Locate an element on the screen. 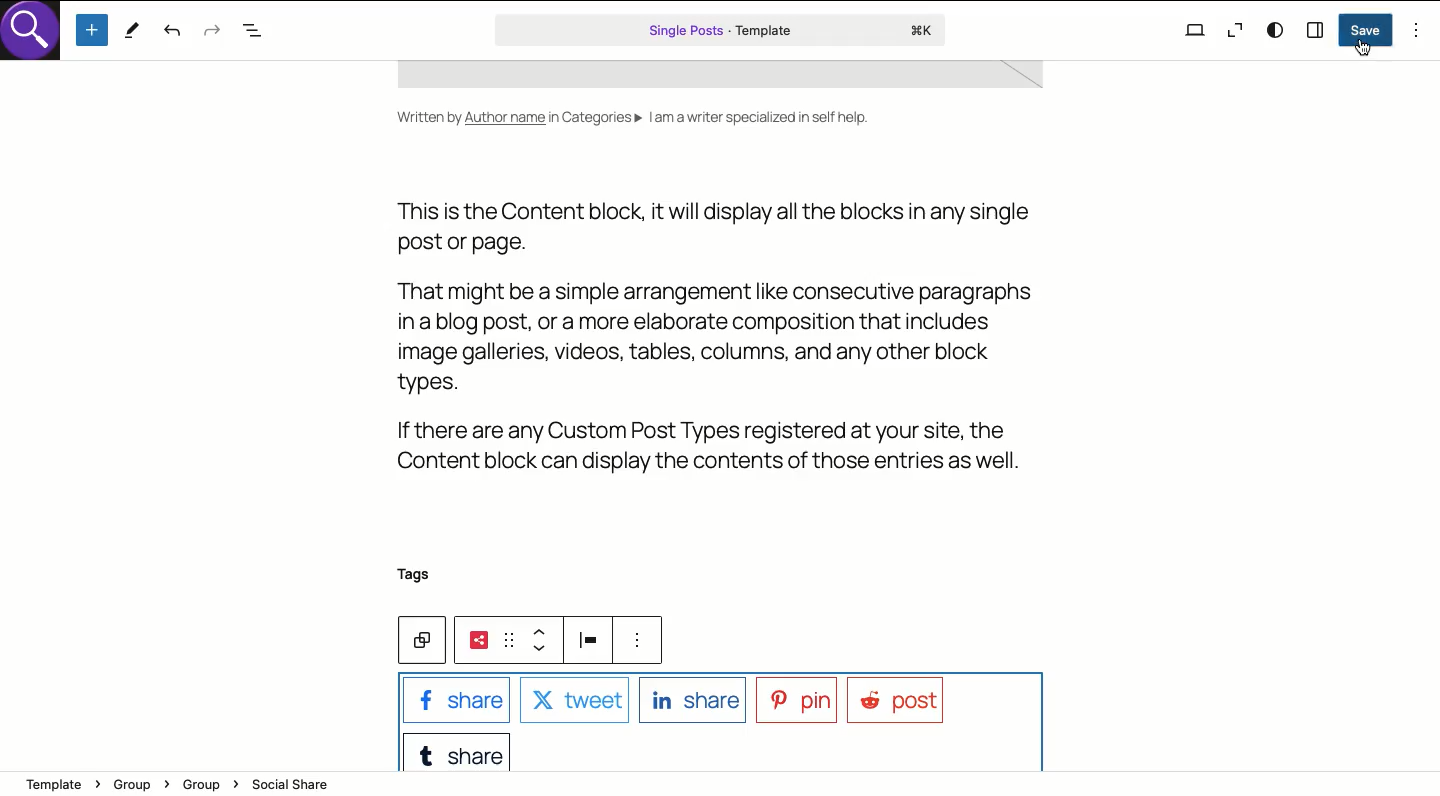 The width and height of the screenshot is (1440, 796). Redo is located at coordinates (213, 33).